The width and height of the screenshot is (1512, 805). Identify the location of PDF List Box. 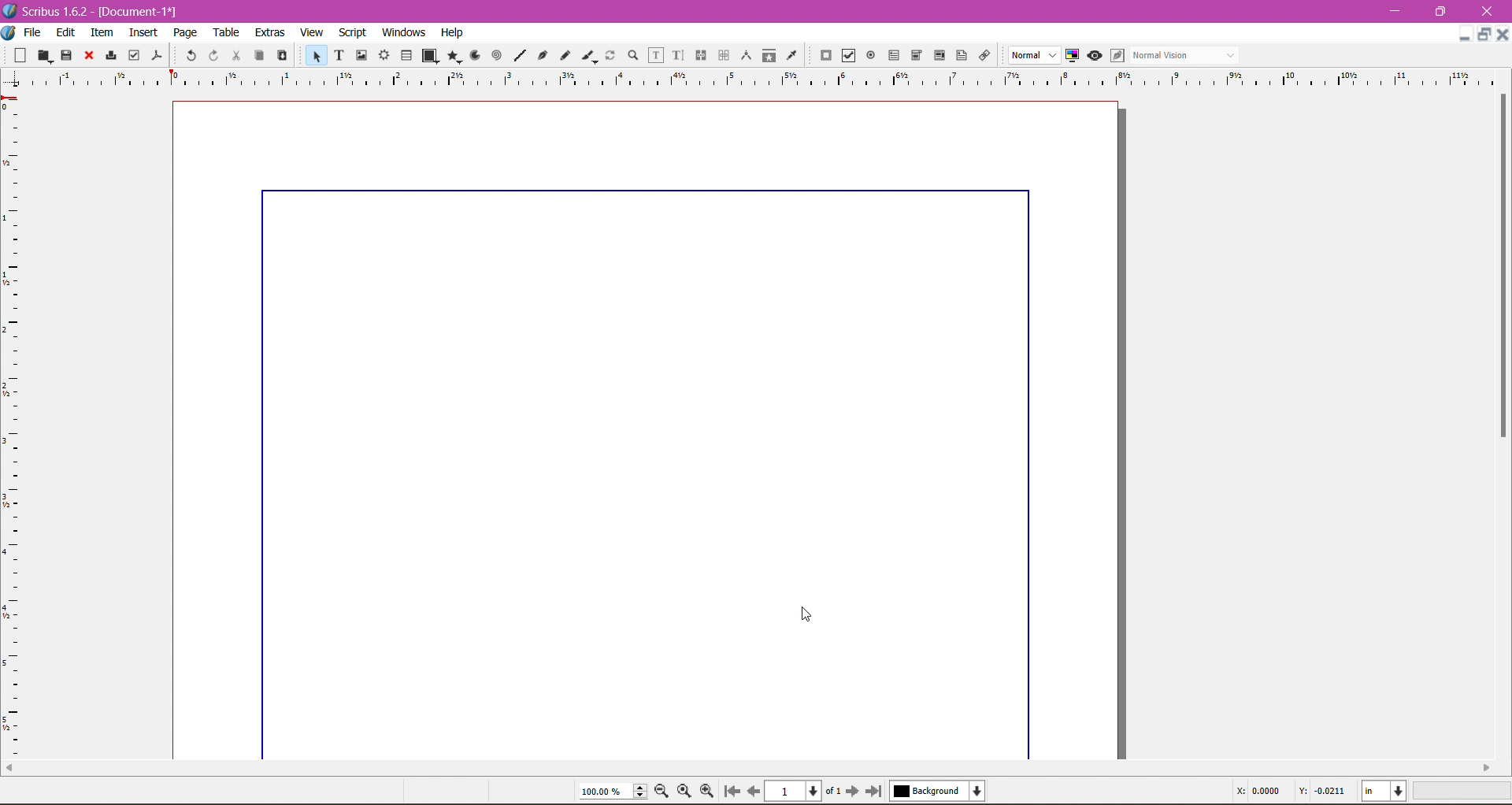
(939, 55).